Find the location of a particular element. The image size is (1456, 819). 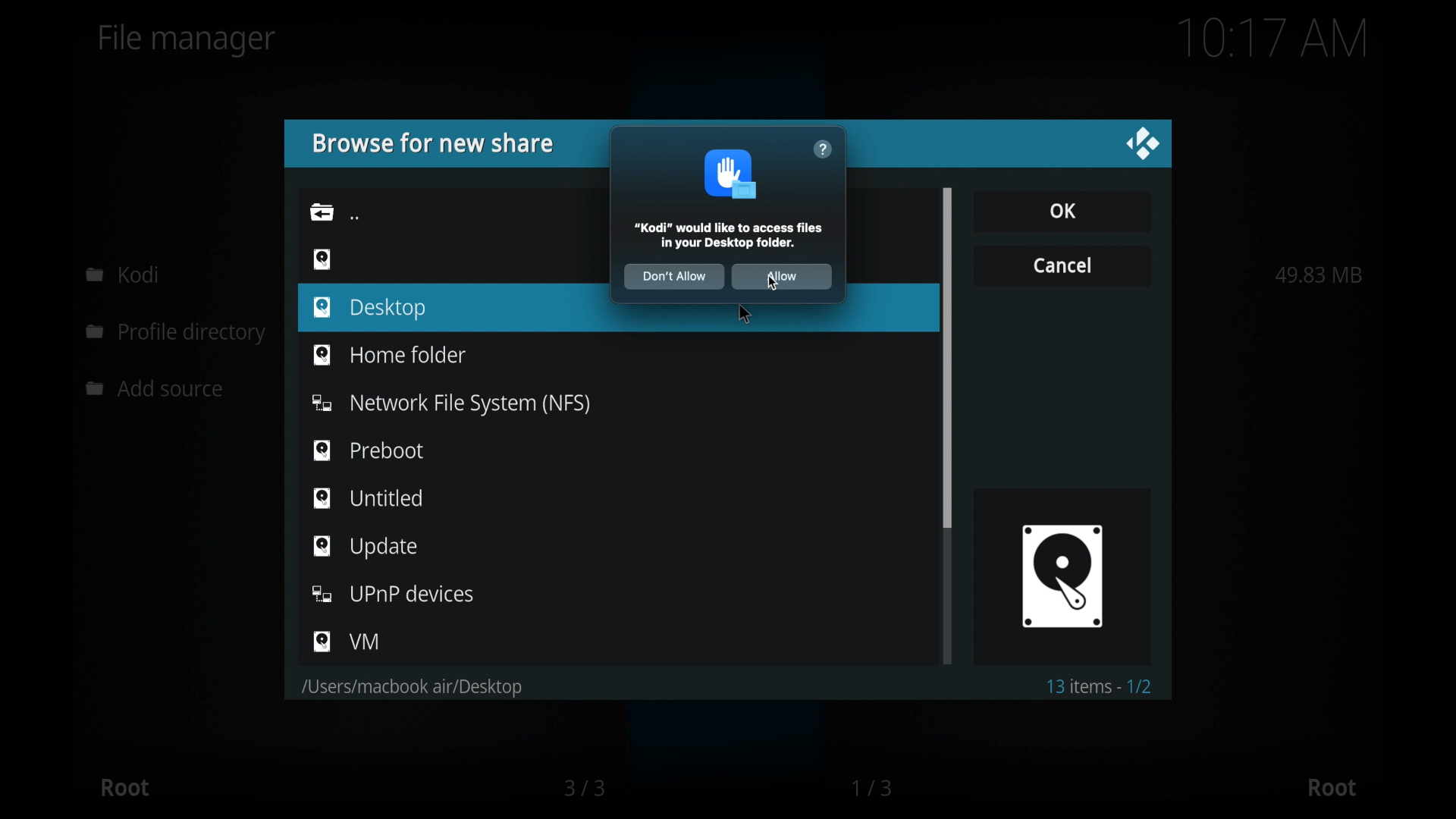

allow is located at coordinates (783, 277).